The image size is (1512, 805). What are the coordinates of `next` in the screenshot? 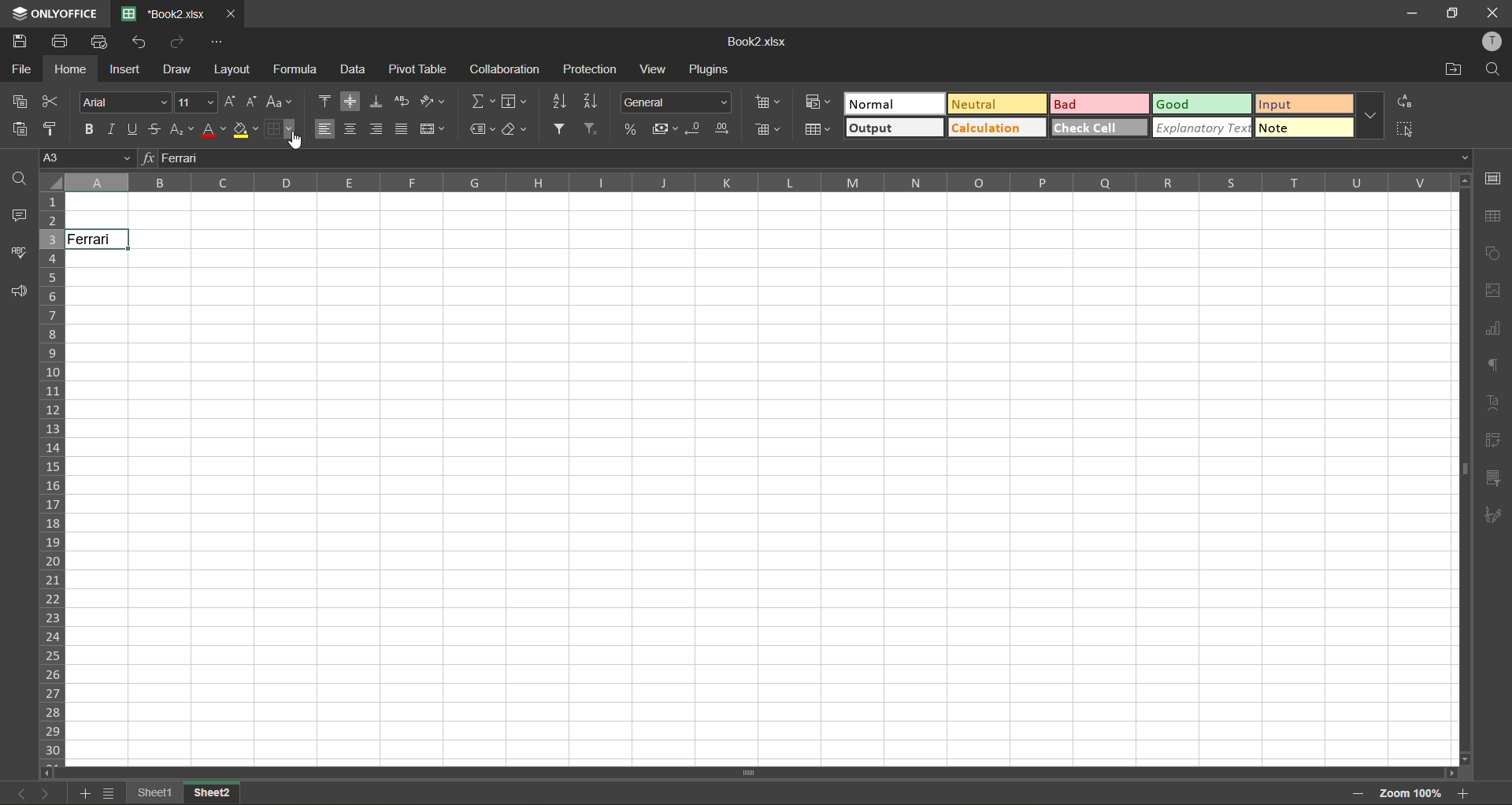 It's located at (45, 793).